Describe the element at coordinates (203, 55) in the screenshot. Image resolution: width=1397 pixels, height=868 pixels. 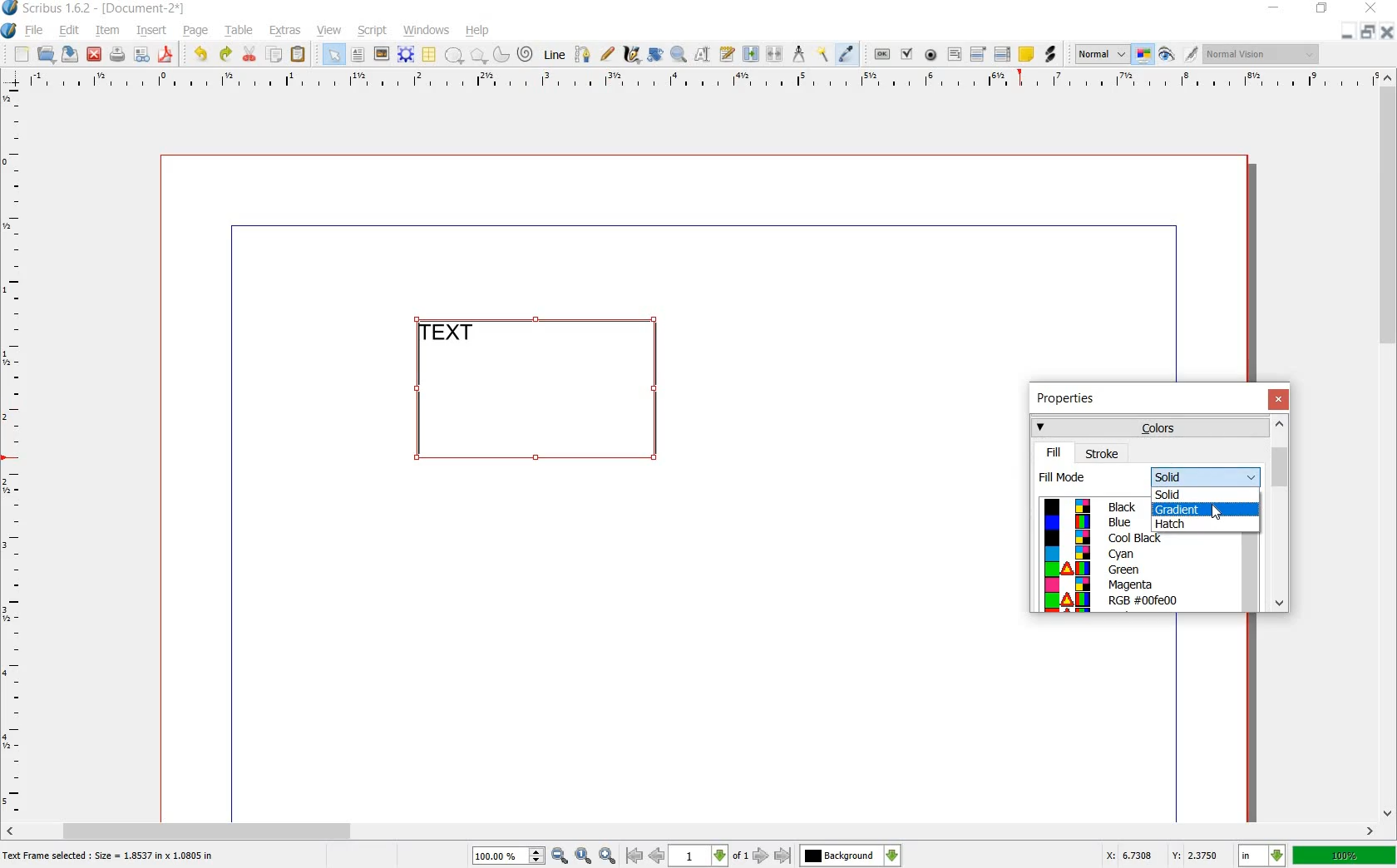
I see `undo` at that location.